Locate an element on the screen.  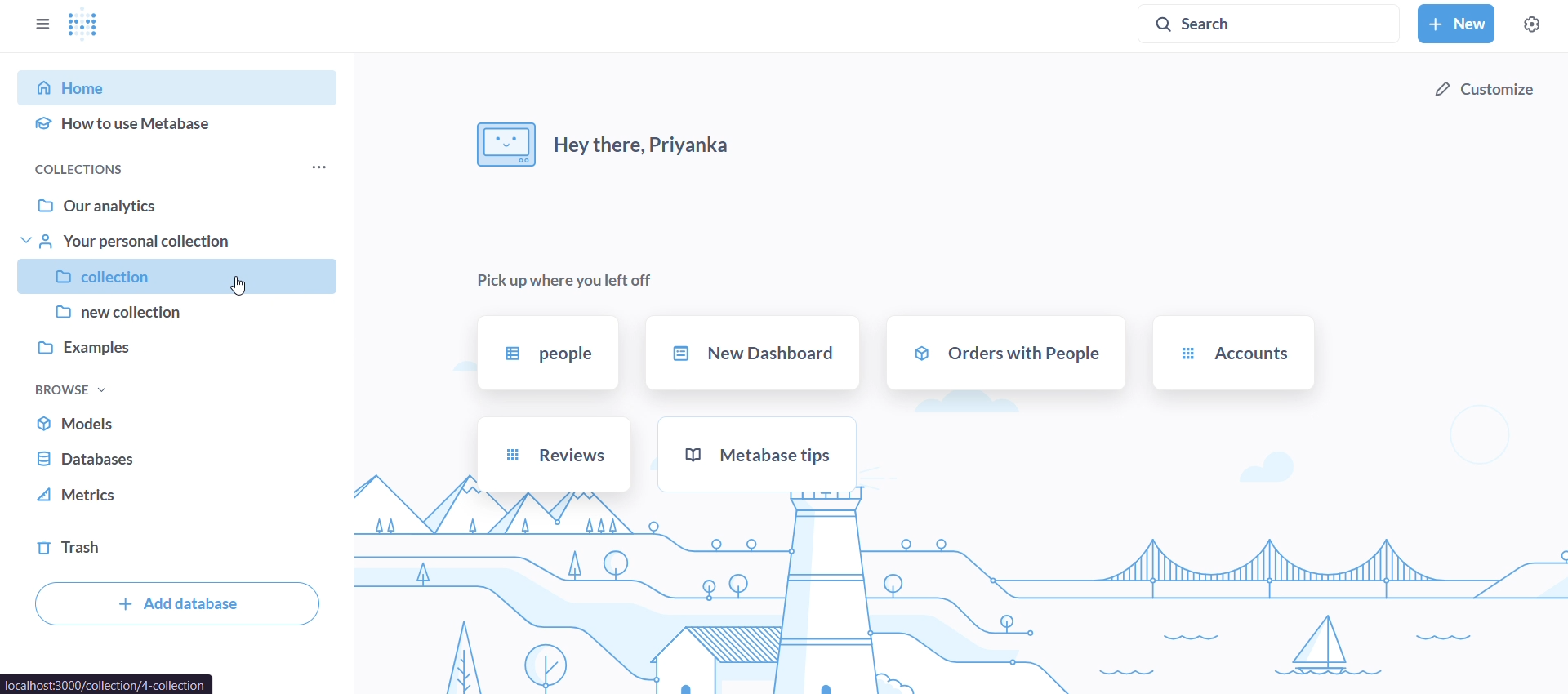
collections is located at coordinates (84, 169).